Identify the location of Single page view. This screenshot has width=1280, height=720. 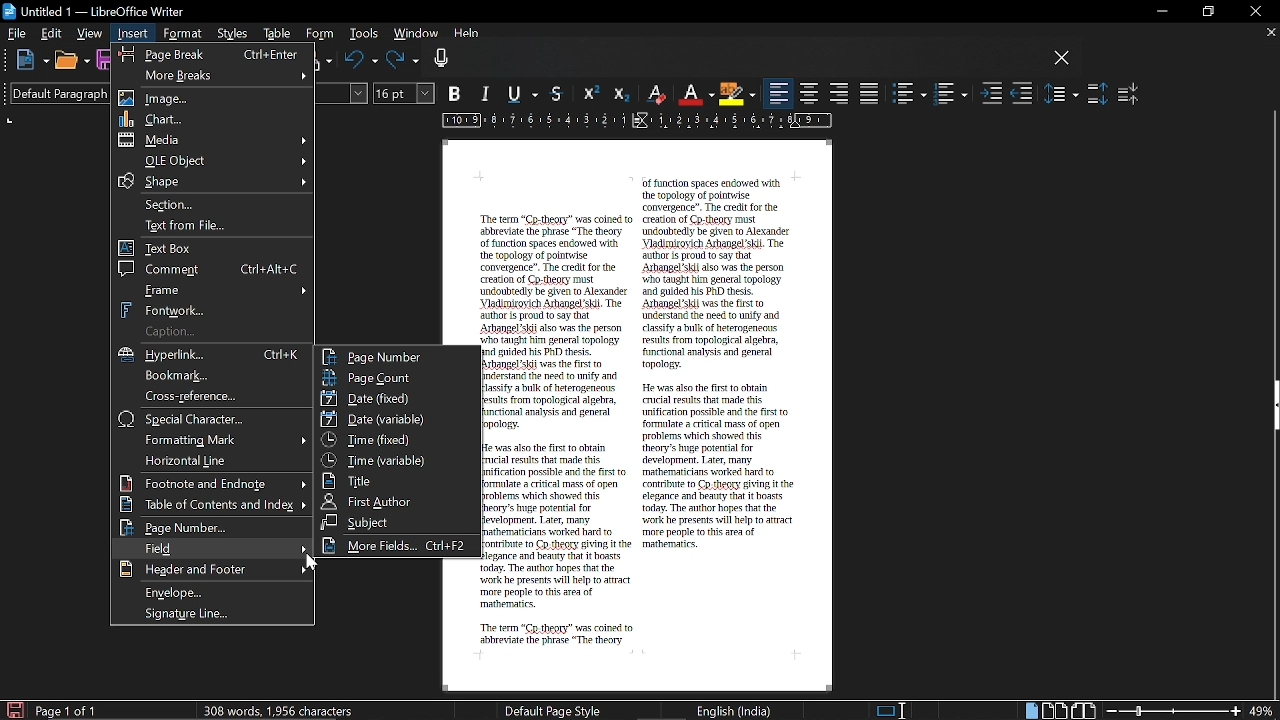
(1030, 711).